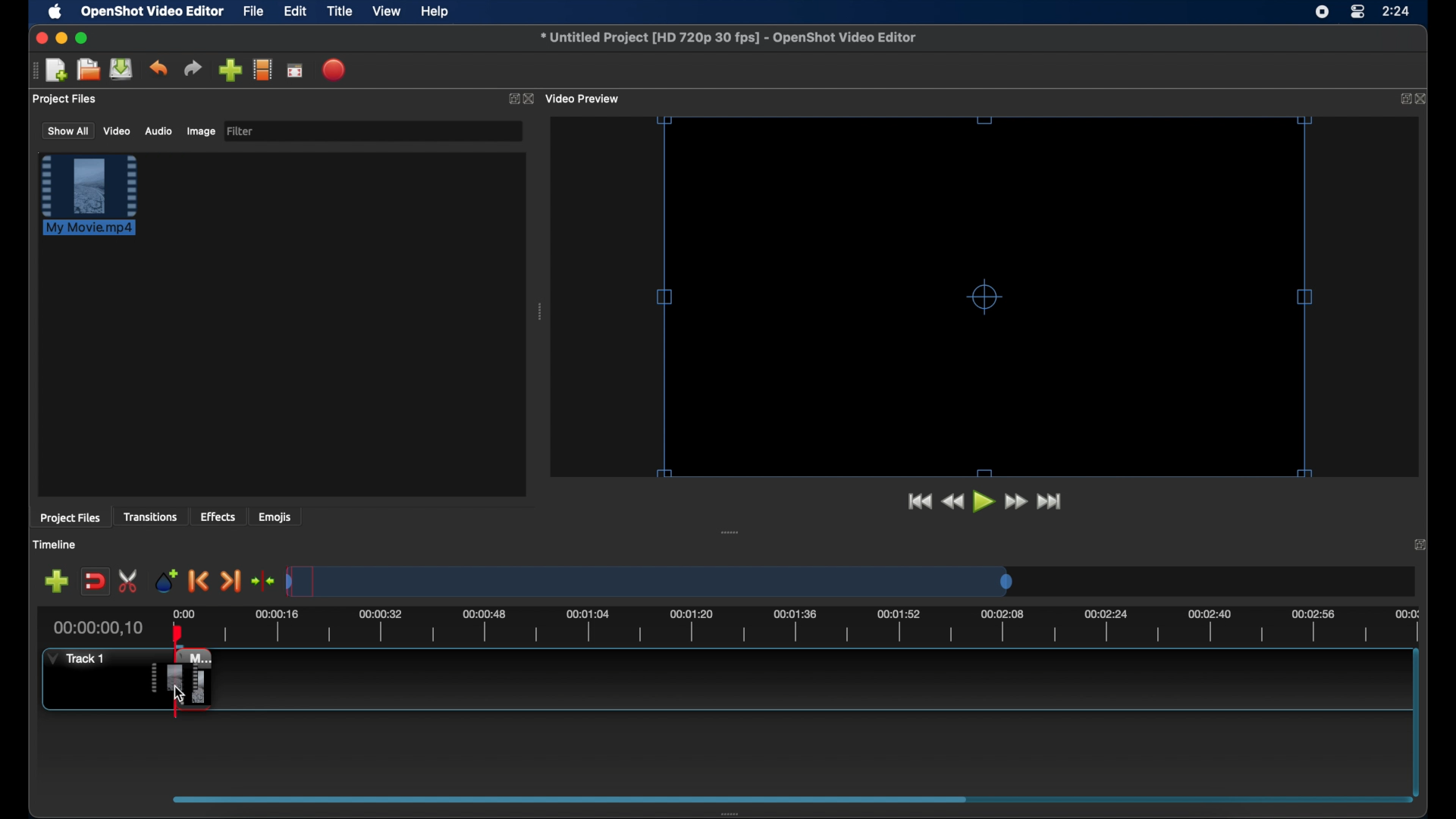 Image resolution: width=1456 pixels, height=819 pixels. I want to click on open project, so click(88, 70).